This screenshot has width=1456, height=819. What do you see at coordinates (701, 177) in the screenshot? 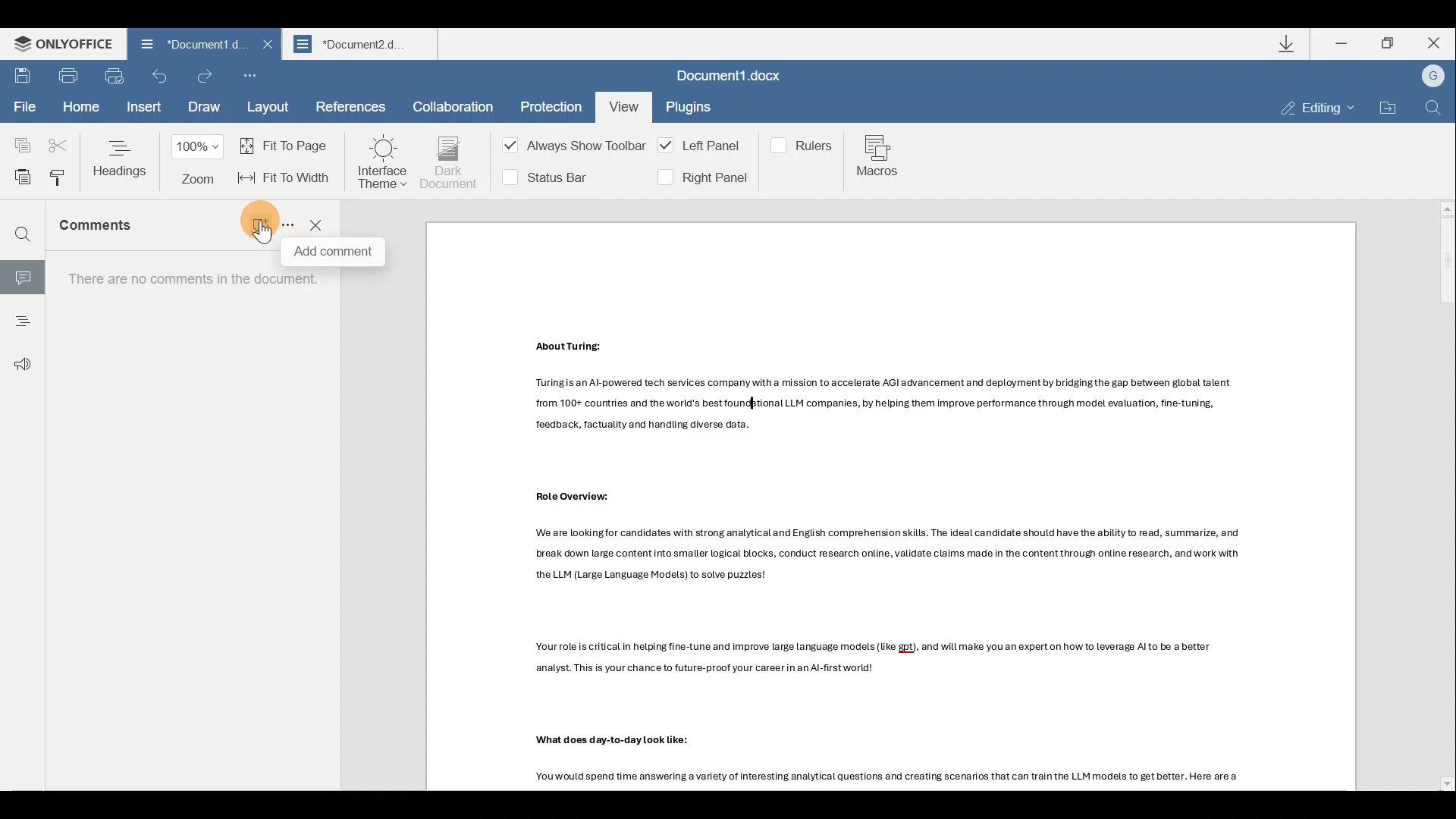
I see `Right panel` at bounding box center [701, 177].